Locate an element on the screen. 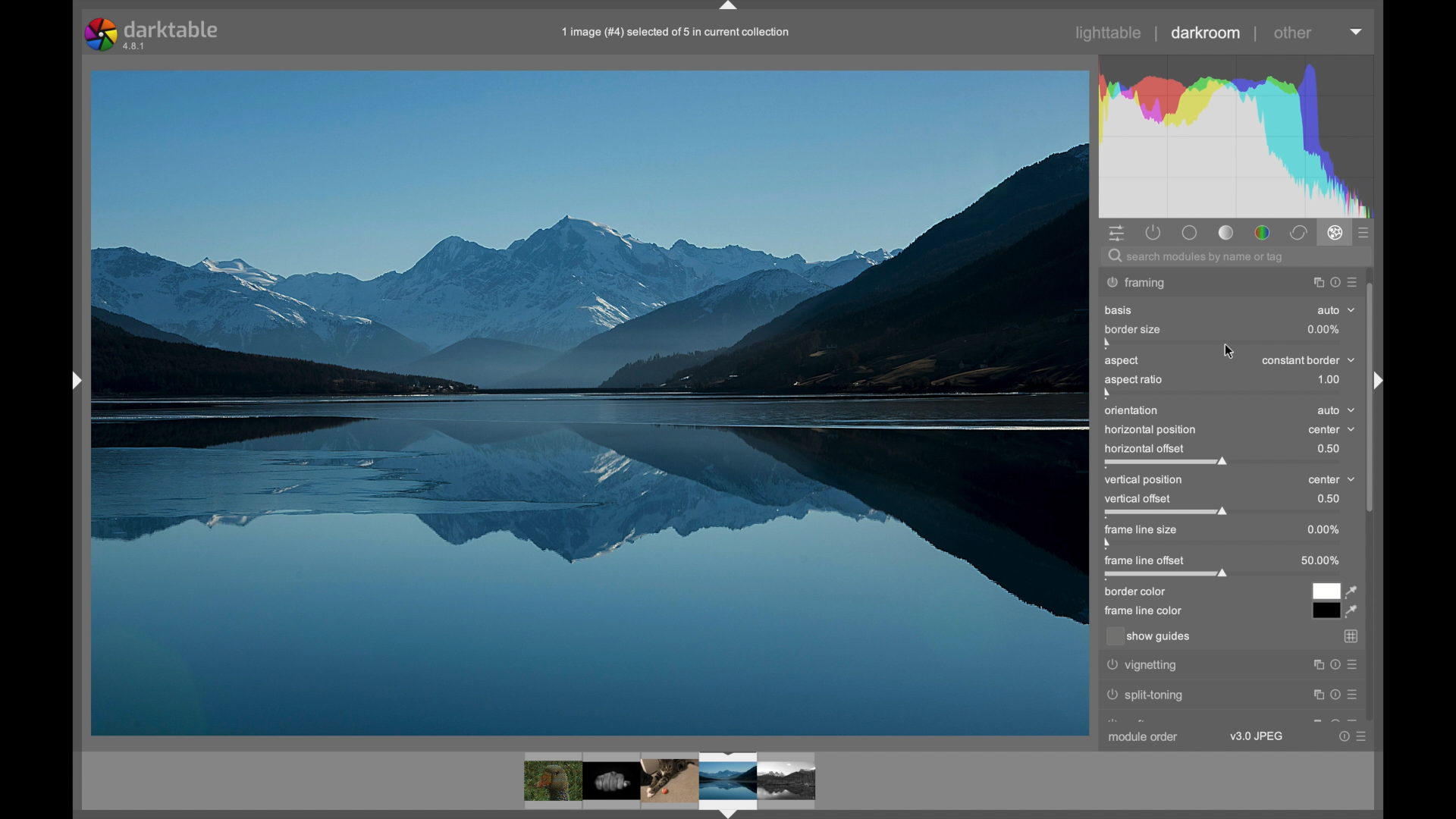 This screenshot has width=1456, height=819. histogram is located at coordinates (1237, 135).